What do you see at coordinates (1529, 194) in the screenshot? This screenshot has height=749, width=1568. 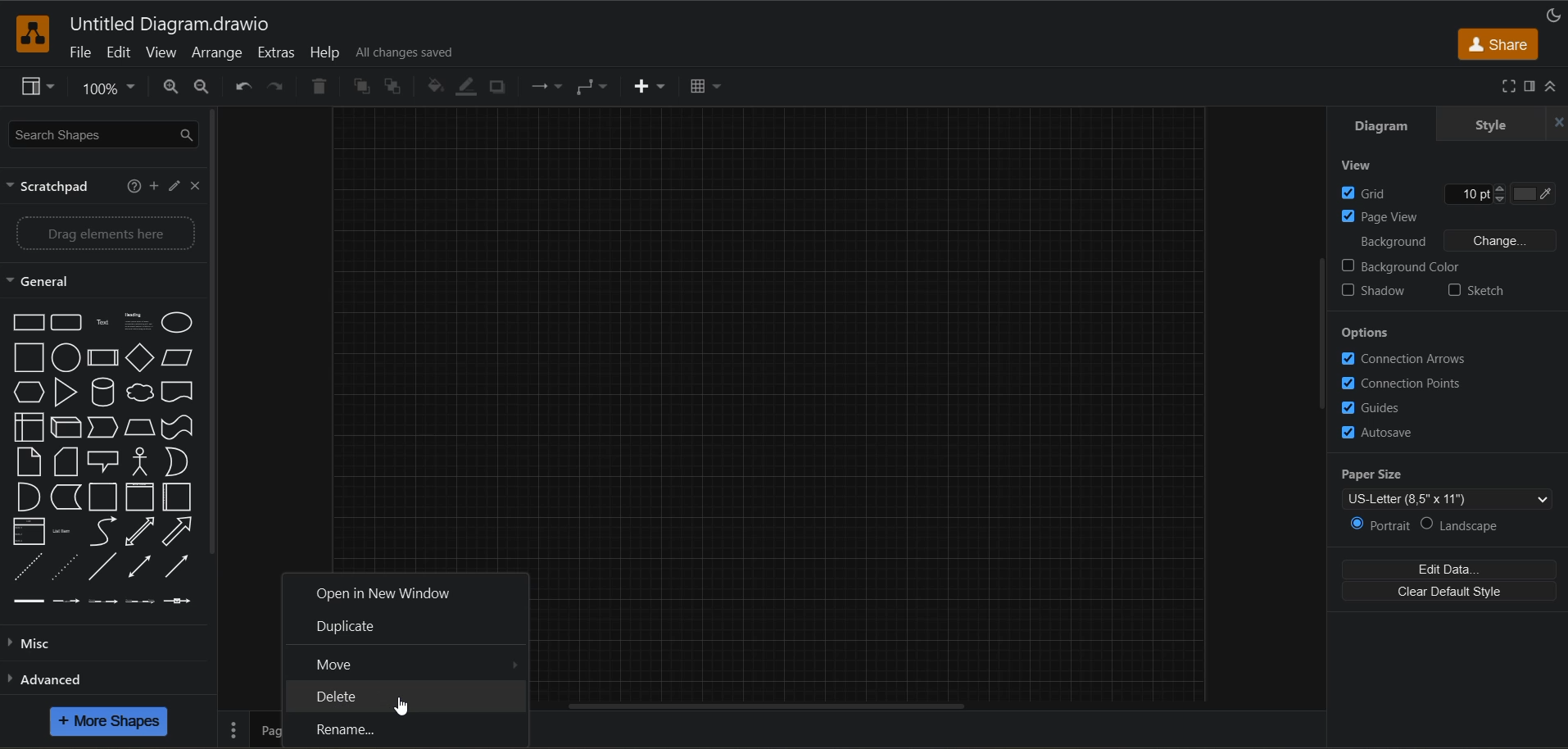 I see `Grid color` at bounding box center [1529, 194].